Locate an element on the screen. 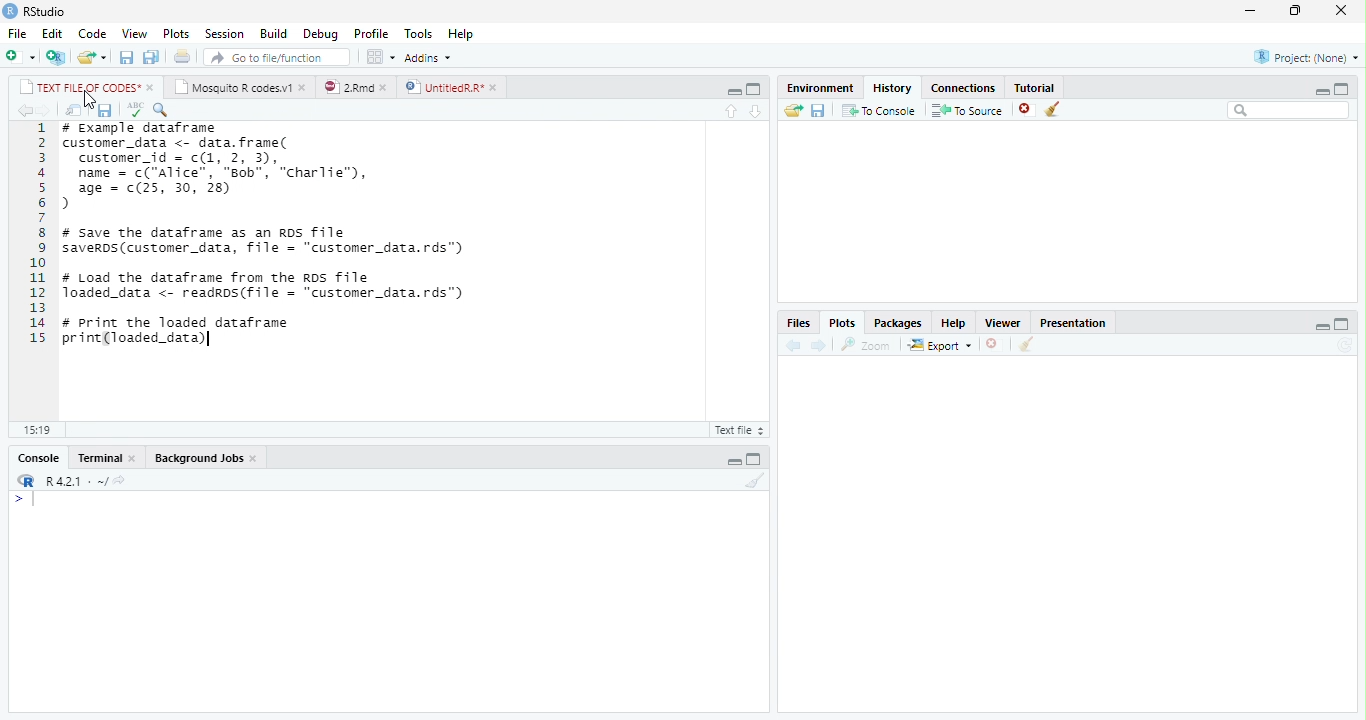  save is located at coordinates (819, 111).